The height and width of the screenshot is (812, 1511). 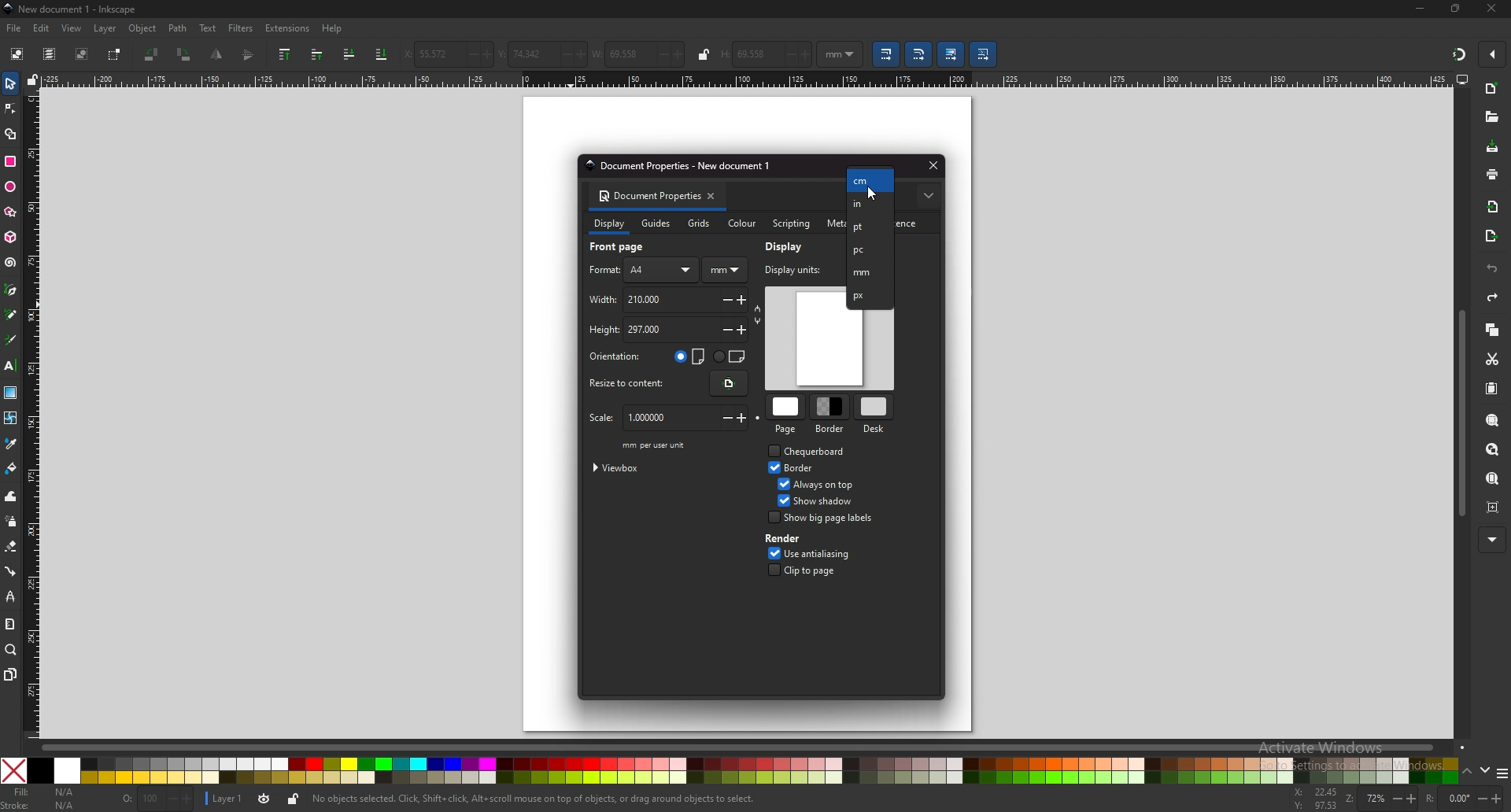 I want to click on lock guides, so click(x=32, y=80).